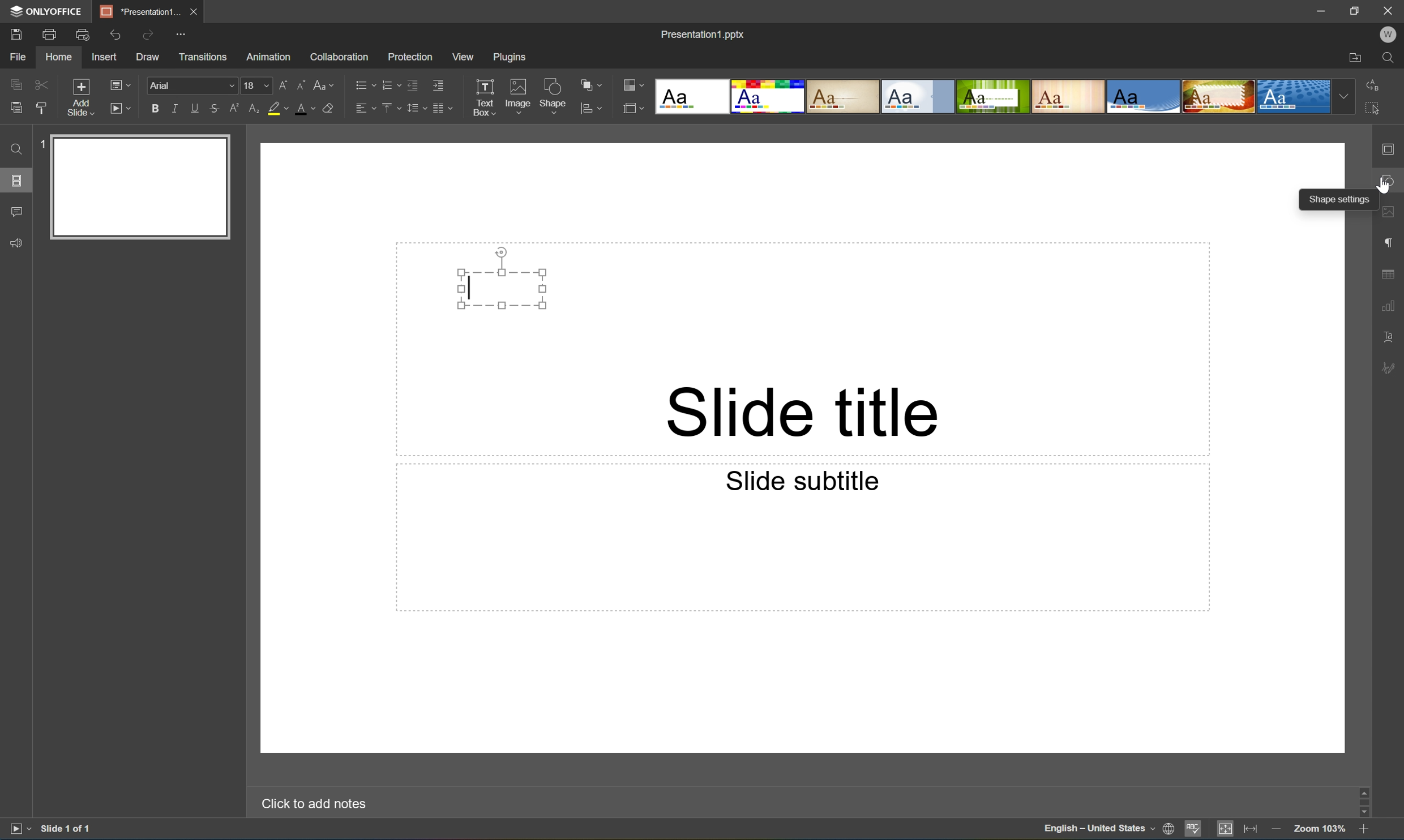 The image size is (1404, 840). I want to click on Presentation1..., so click(136, 11).